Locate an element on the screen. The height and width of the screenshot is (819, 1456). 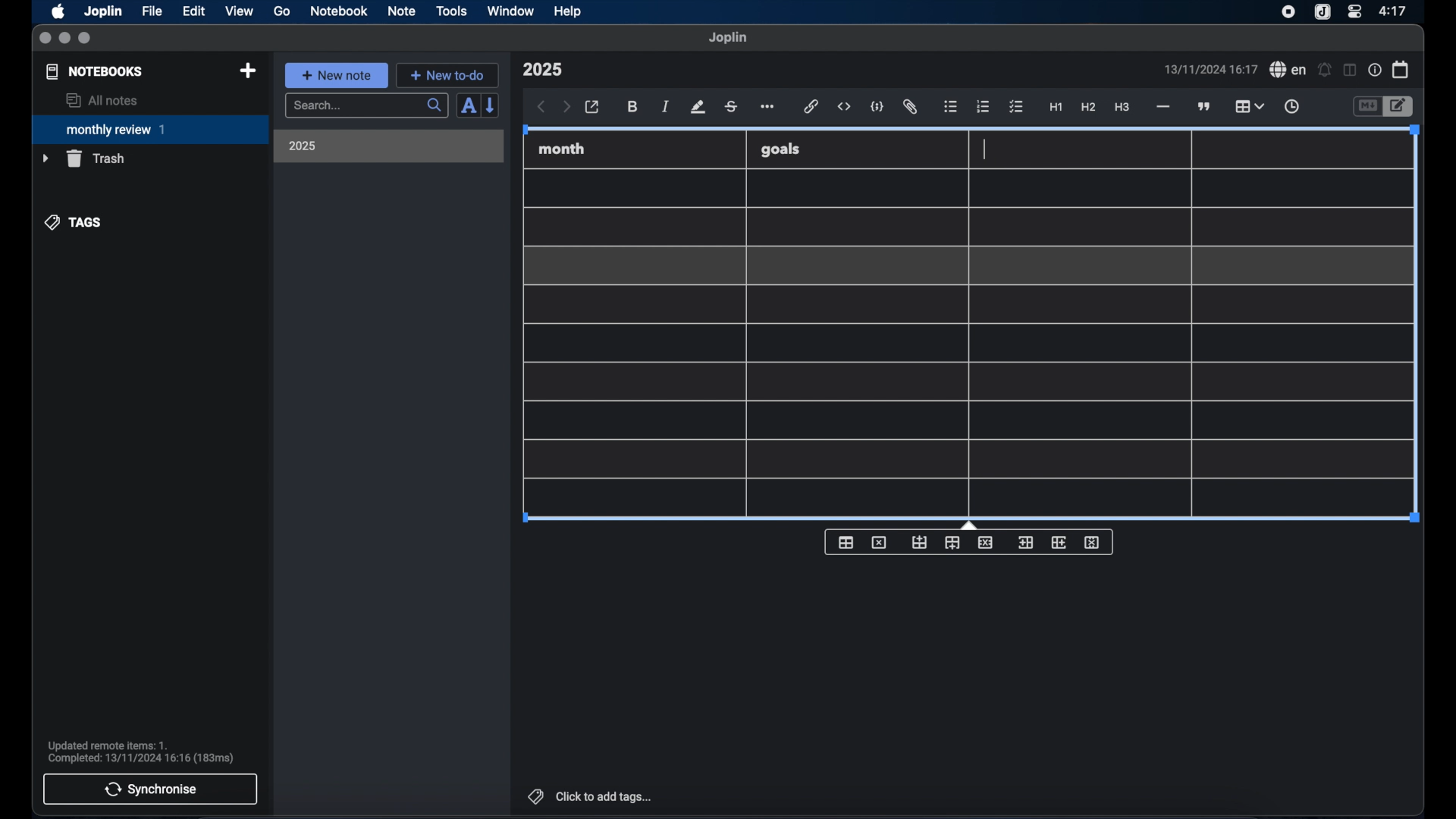
spel check is located at coordinates (1288, 70).